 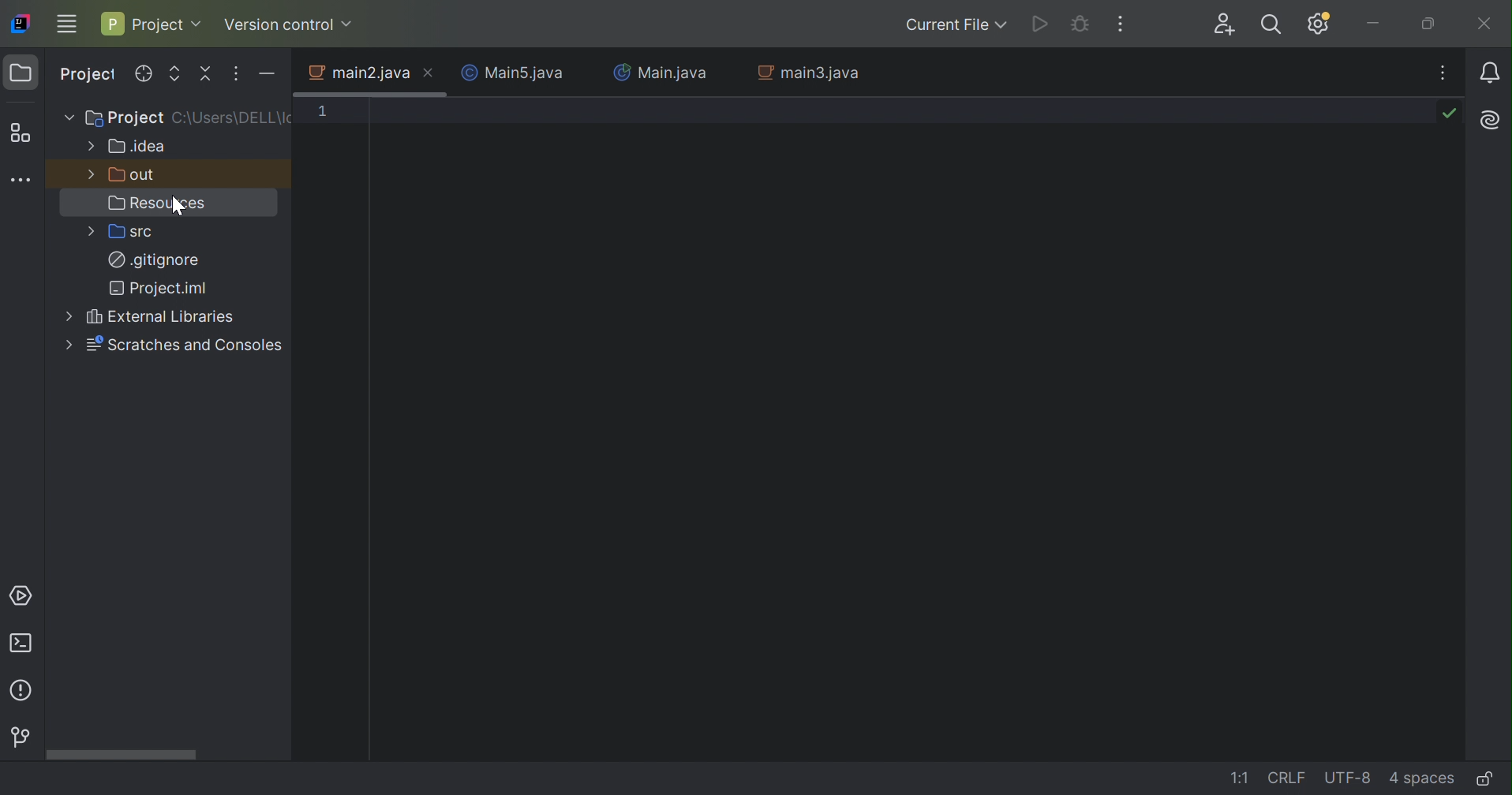 What do you see at coordinates (68, 319) in the screenshot?
I see `More` at bounding box center [68, 319].